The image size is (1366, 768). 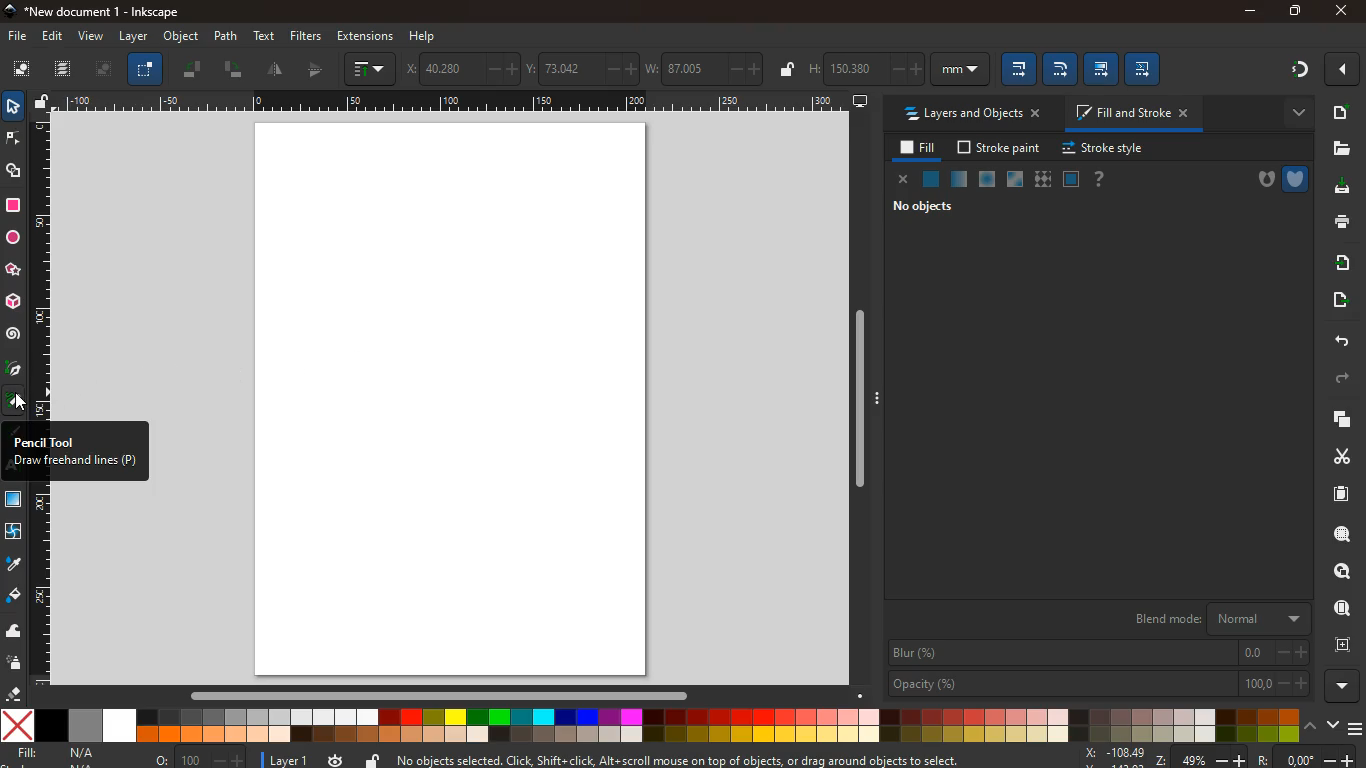 What do you see at coordinates (651, 725) in the screenshot?
I see `color` at bounding box center [651, 725].